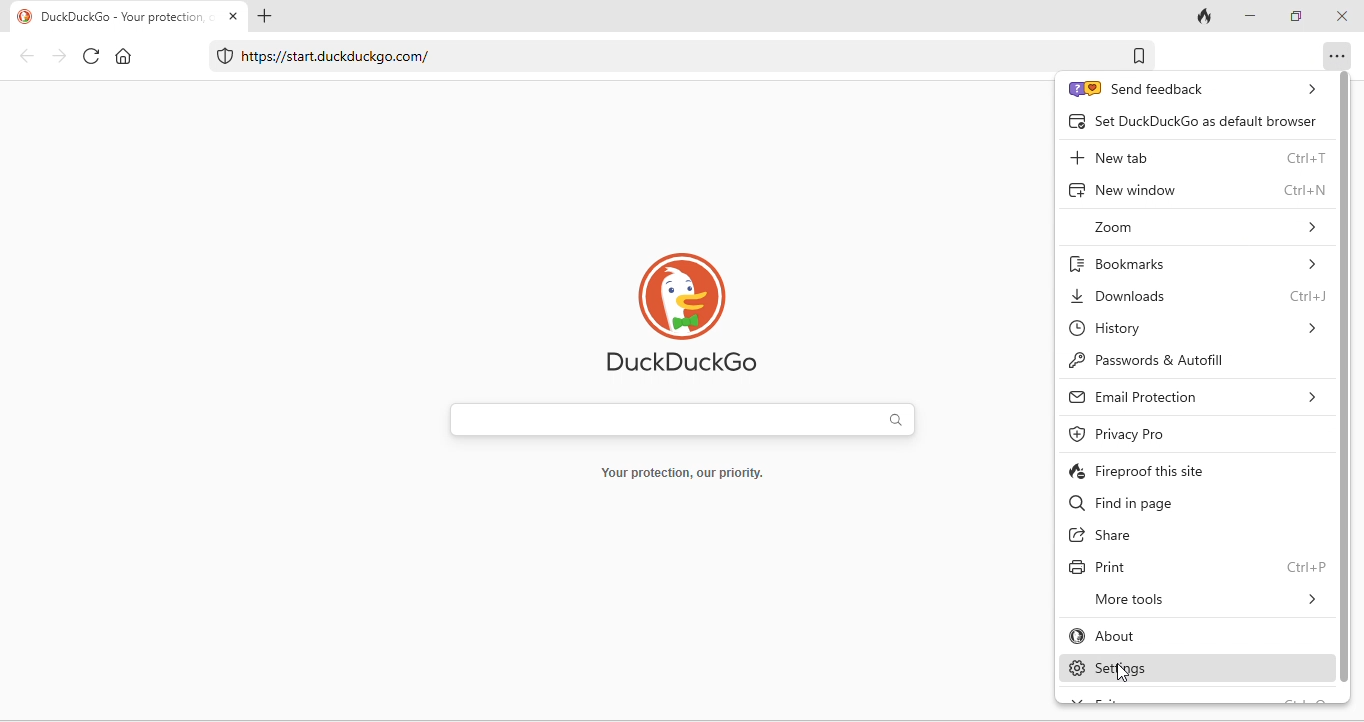 This screenshot has width=1364, height=722. I want to click on more tools, so click(1203, 598).